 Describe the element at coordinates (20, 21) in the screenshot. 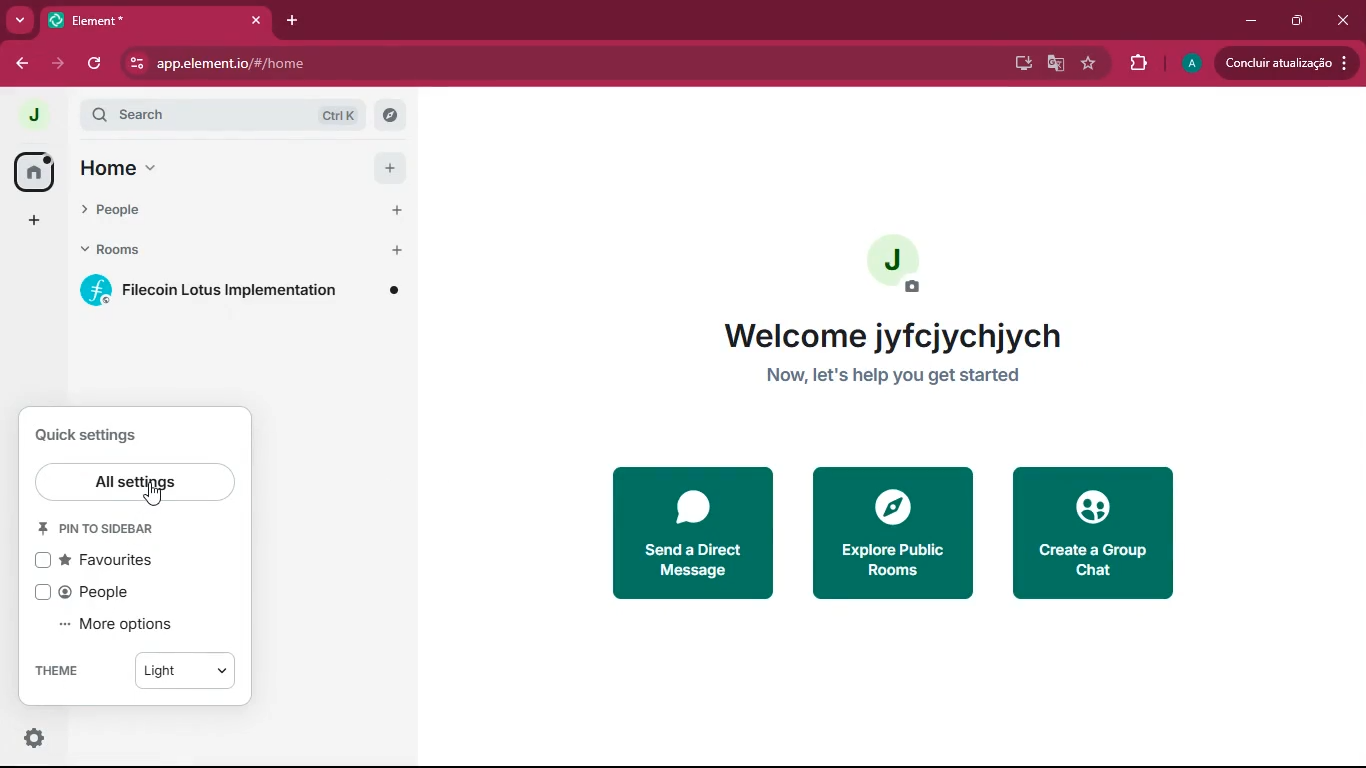

I see `more` at that location.